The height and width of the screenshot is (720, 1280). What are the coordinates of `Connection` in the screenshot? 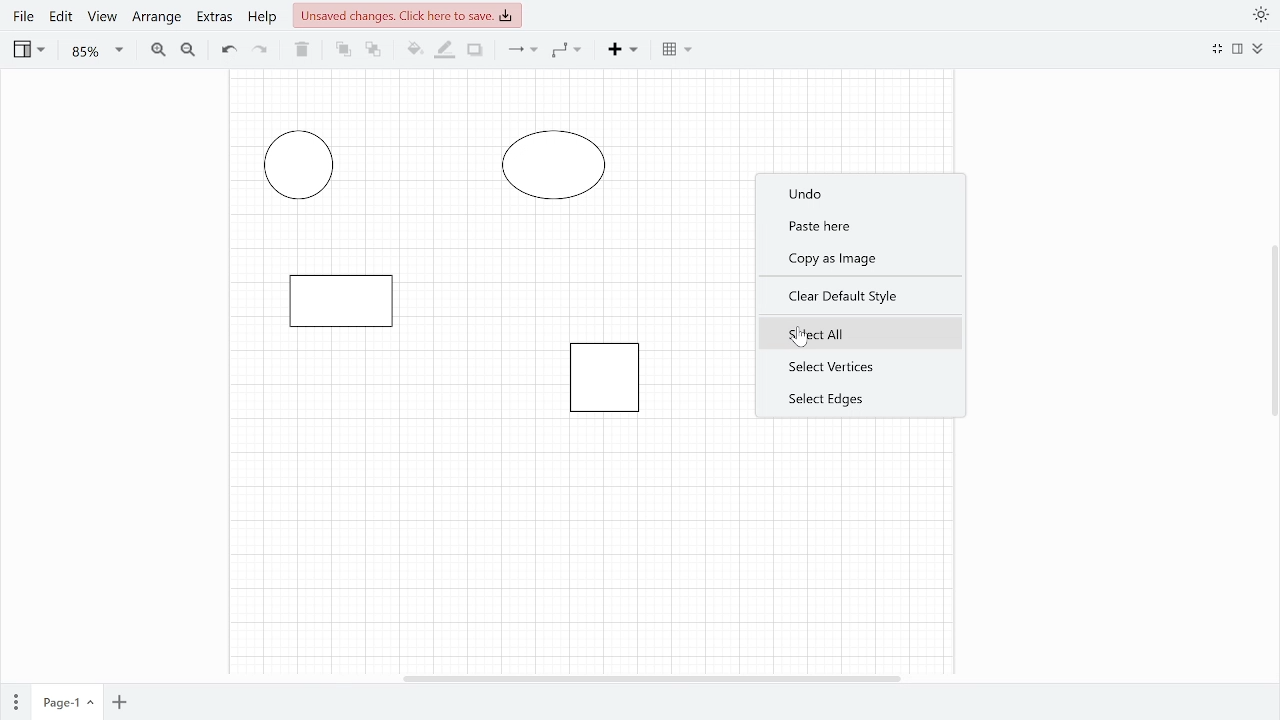 It's located at (522, 49).